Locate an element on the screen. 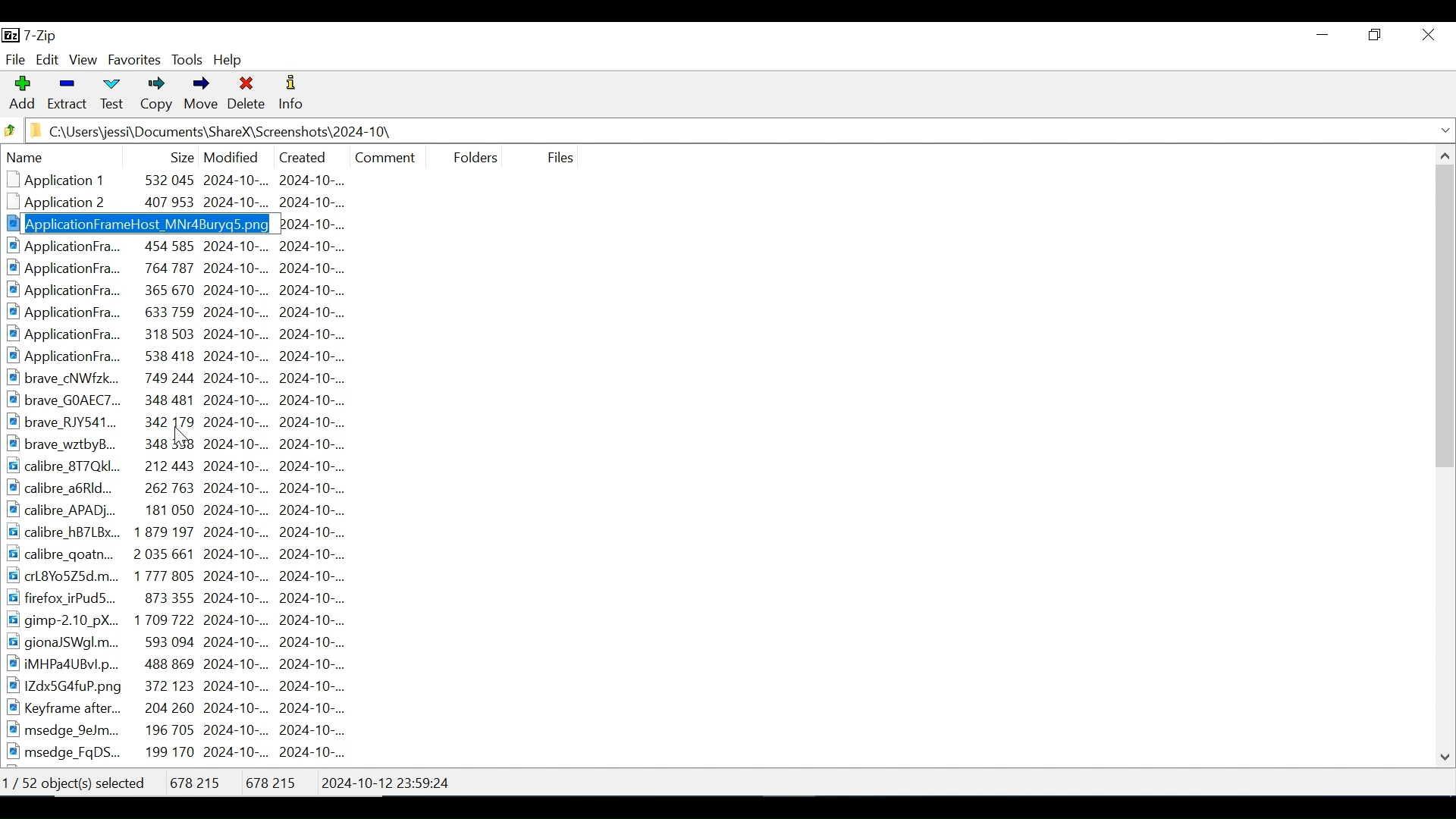  Edit is located at coordinates (47, 60).